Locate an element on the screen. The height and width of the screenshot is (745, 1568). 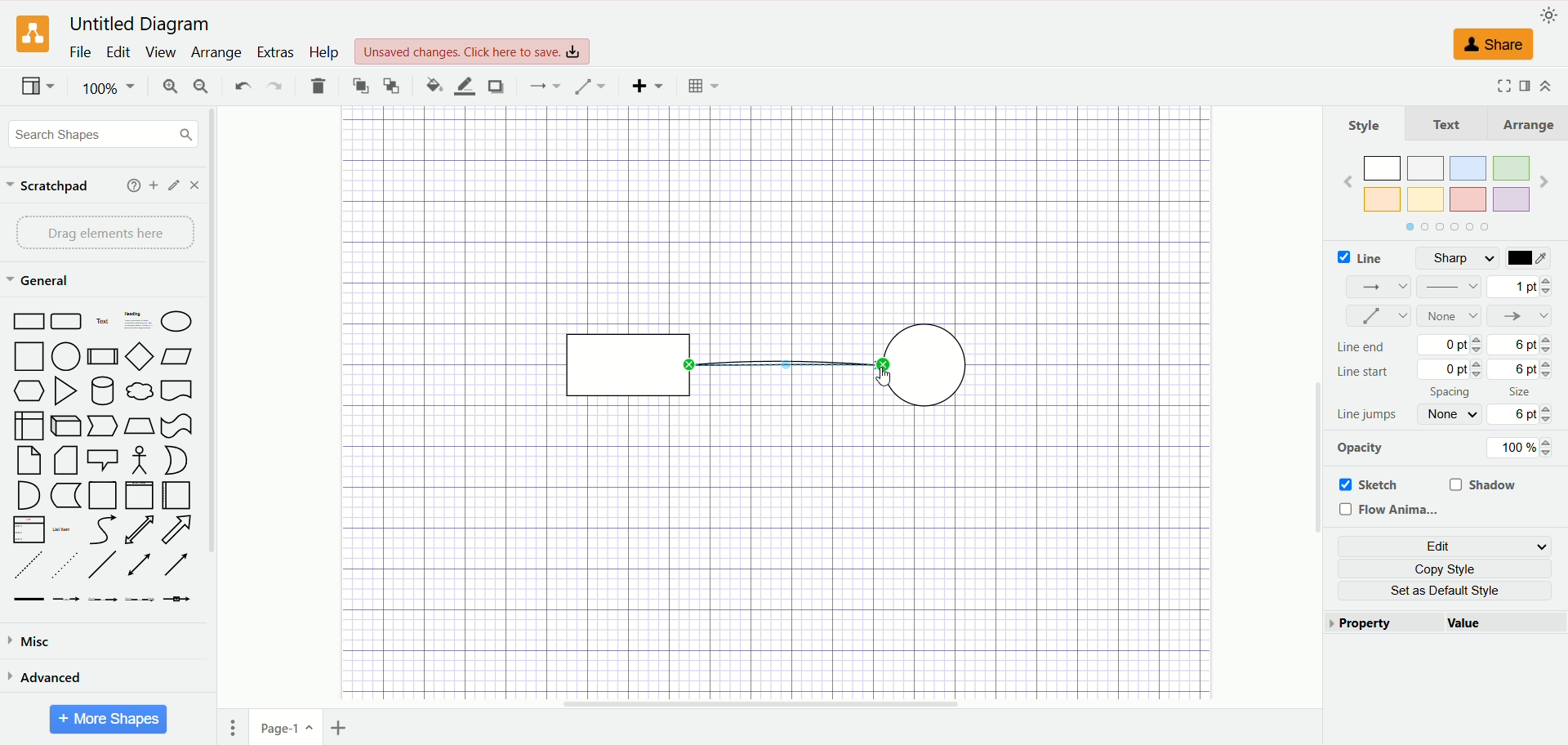
Speech Bubble is located at coordinates (104, 461).